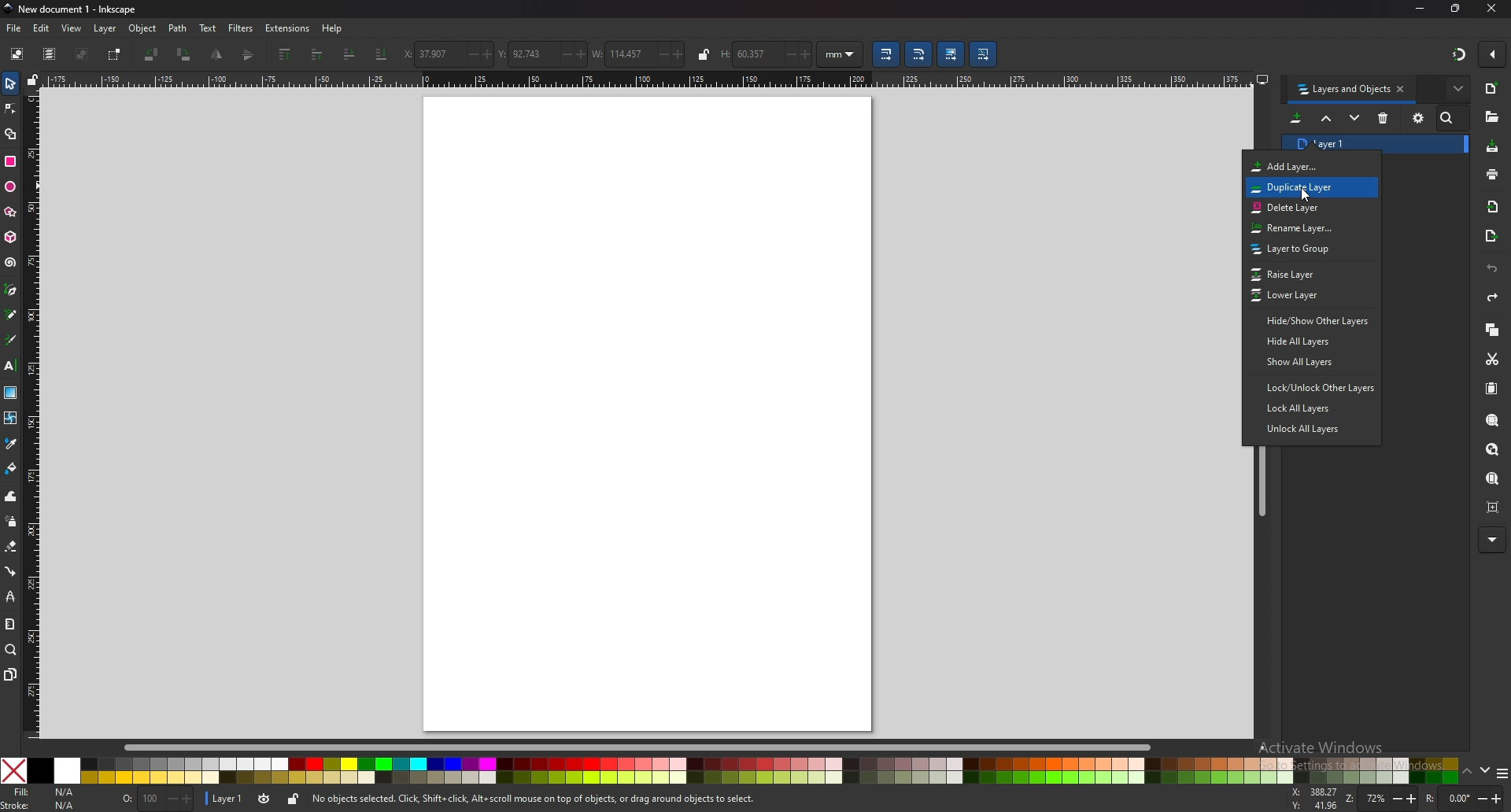 The height and width of the screenshot is (812, 1511). I want to click on zoom, so click(11, 650).